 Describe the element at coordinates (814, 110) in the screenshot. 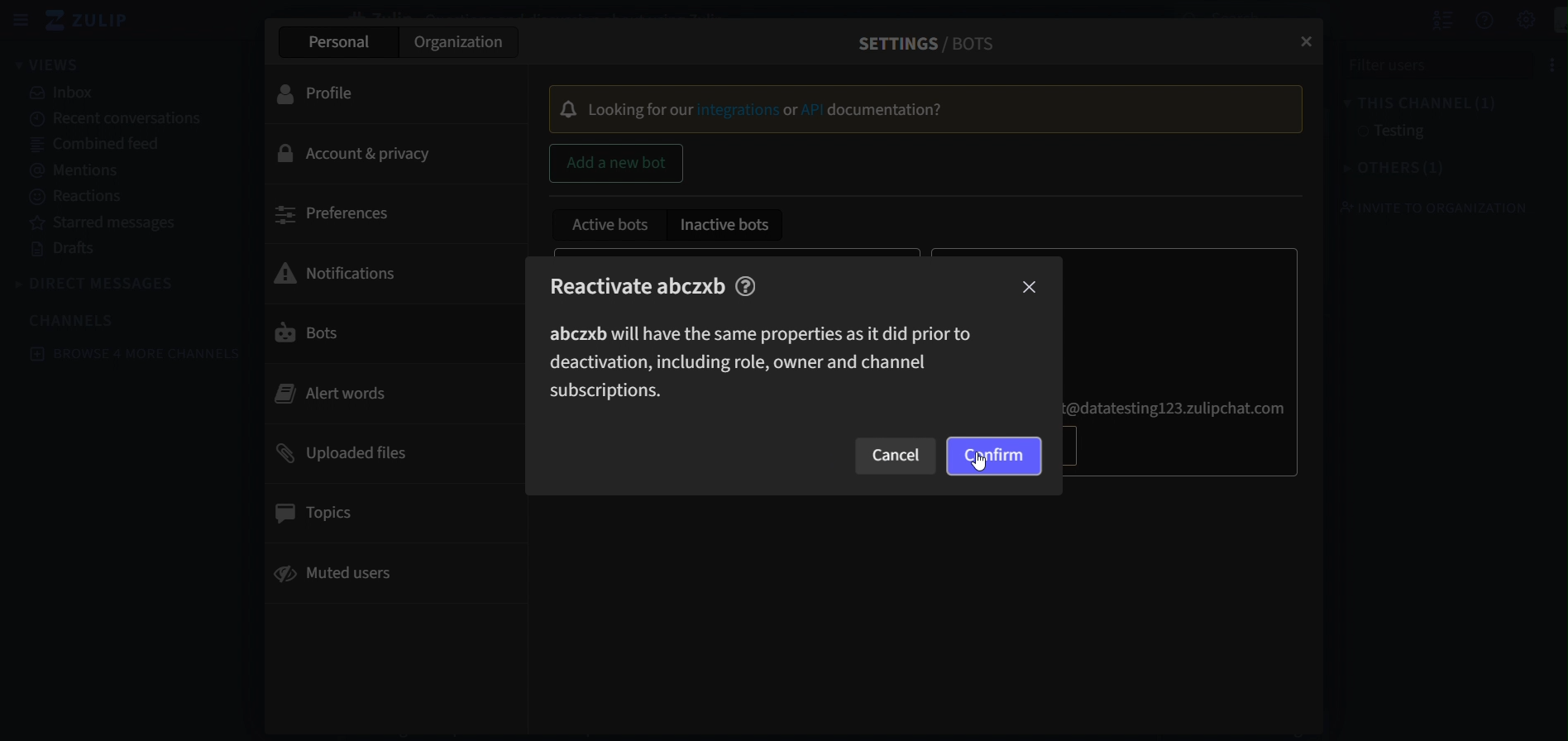

I see `API` at that location.